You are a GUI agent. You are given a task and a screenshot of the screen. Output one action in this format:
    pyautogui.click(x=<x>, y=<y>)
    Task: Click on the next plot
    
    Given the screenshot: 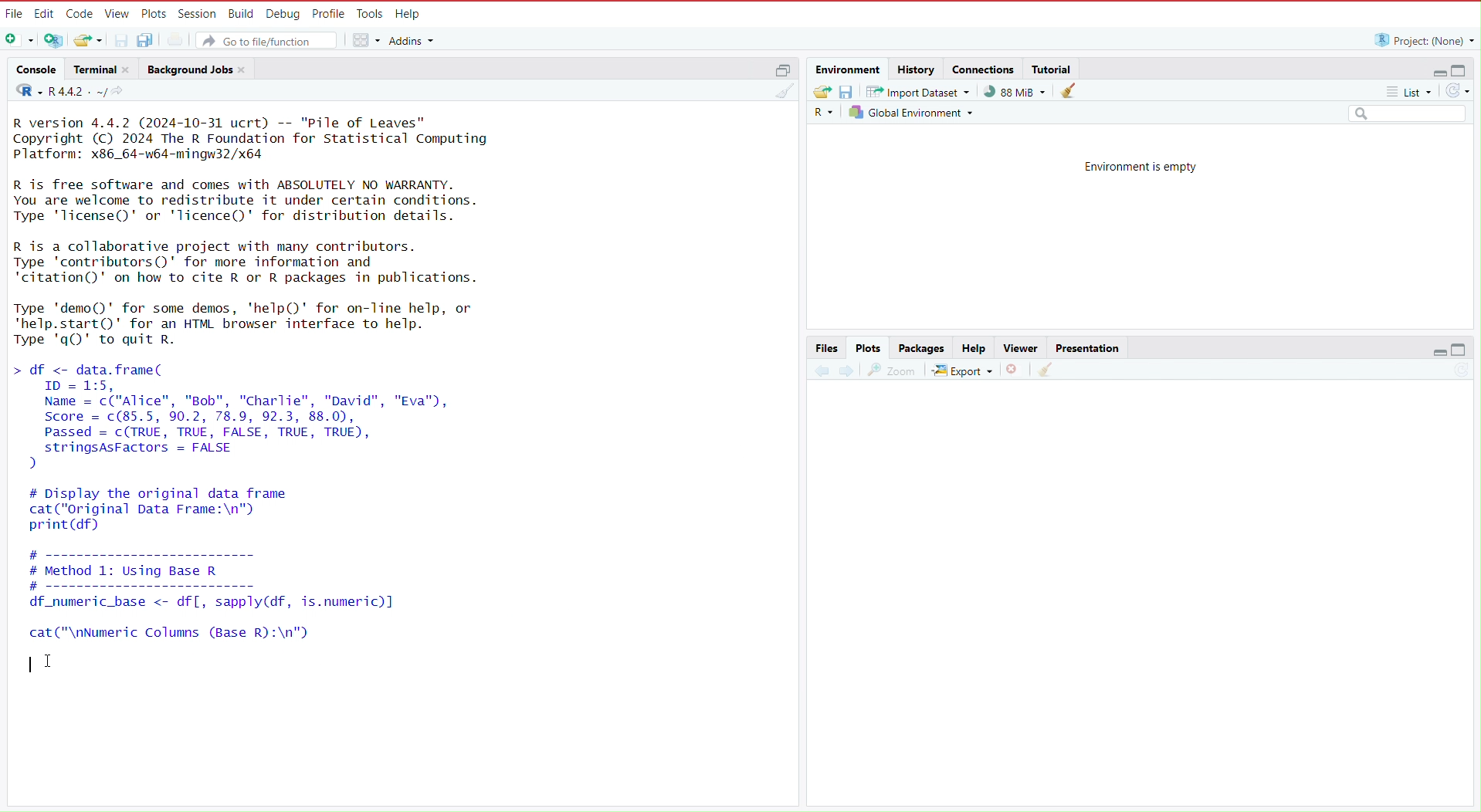 What is the action you would take?
    pyautogui.click(x=843, y=370)
    